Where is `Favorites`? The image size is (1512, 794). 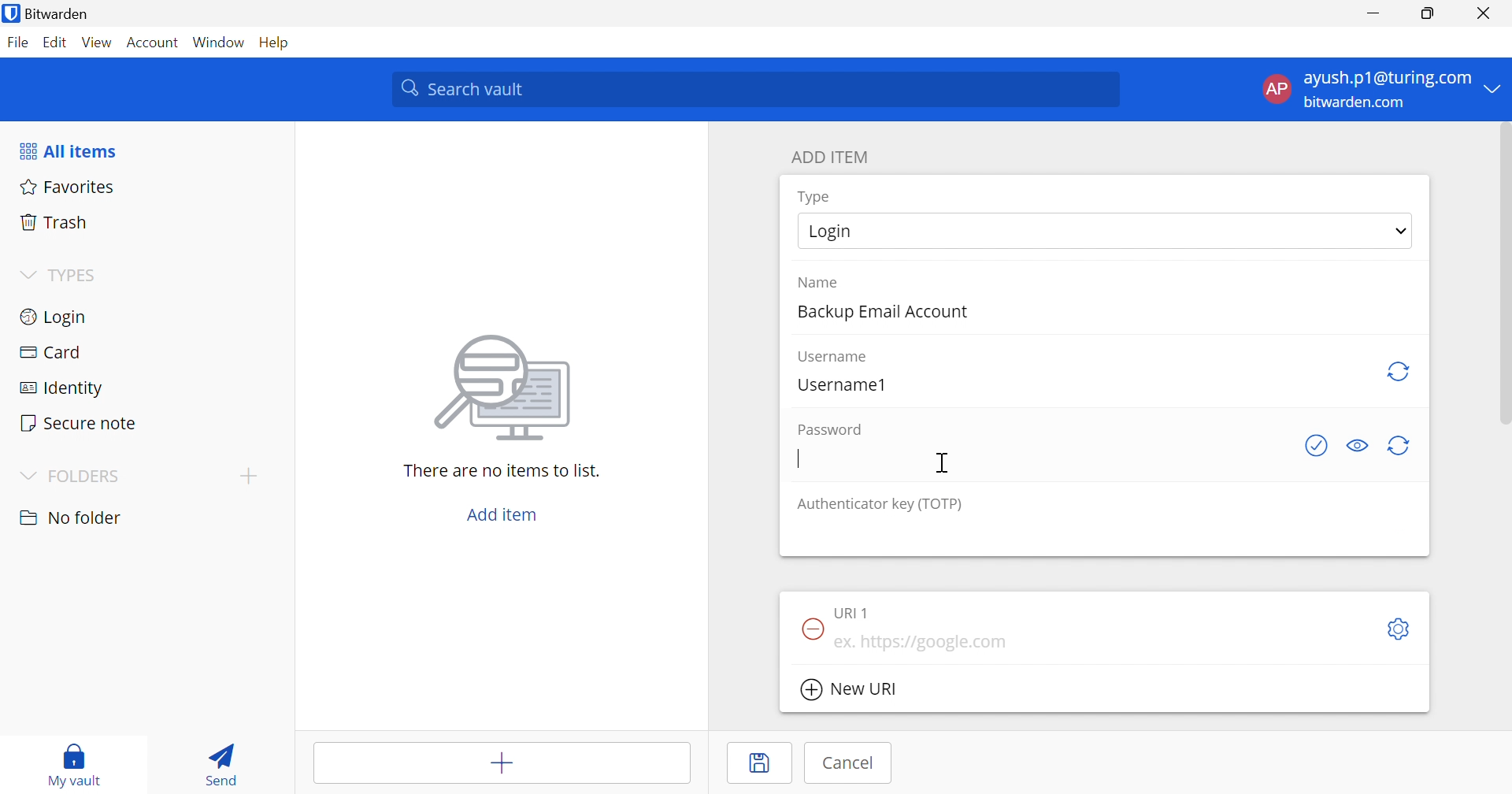 Favorites is located at coordinates (69, 186).